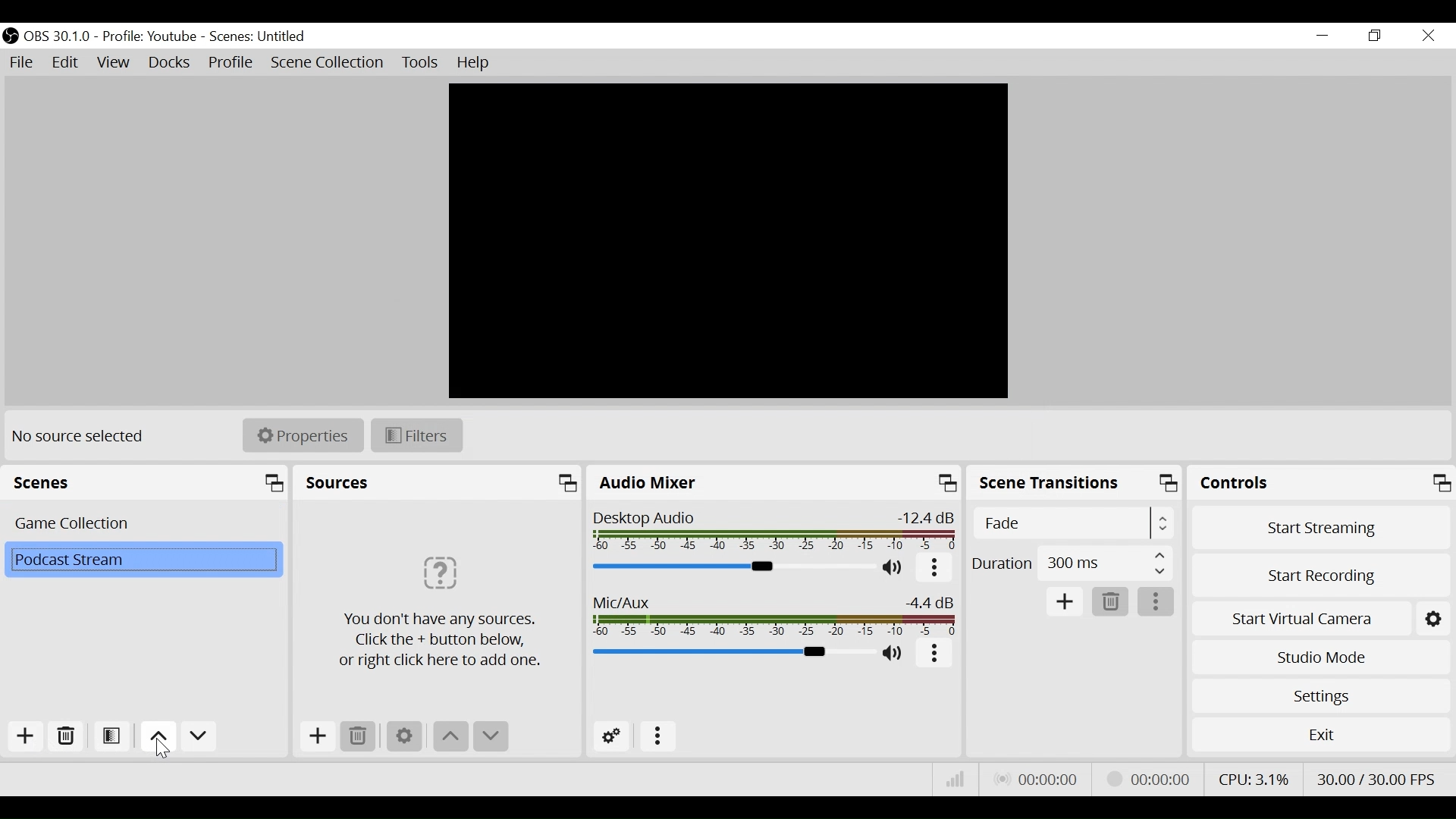  I want to click on CPU Usage, so click(1253, 777).